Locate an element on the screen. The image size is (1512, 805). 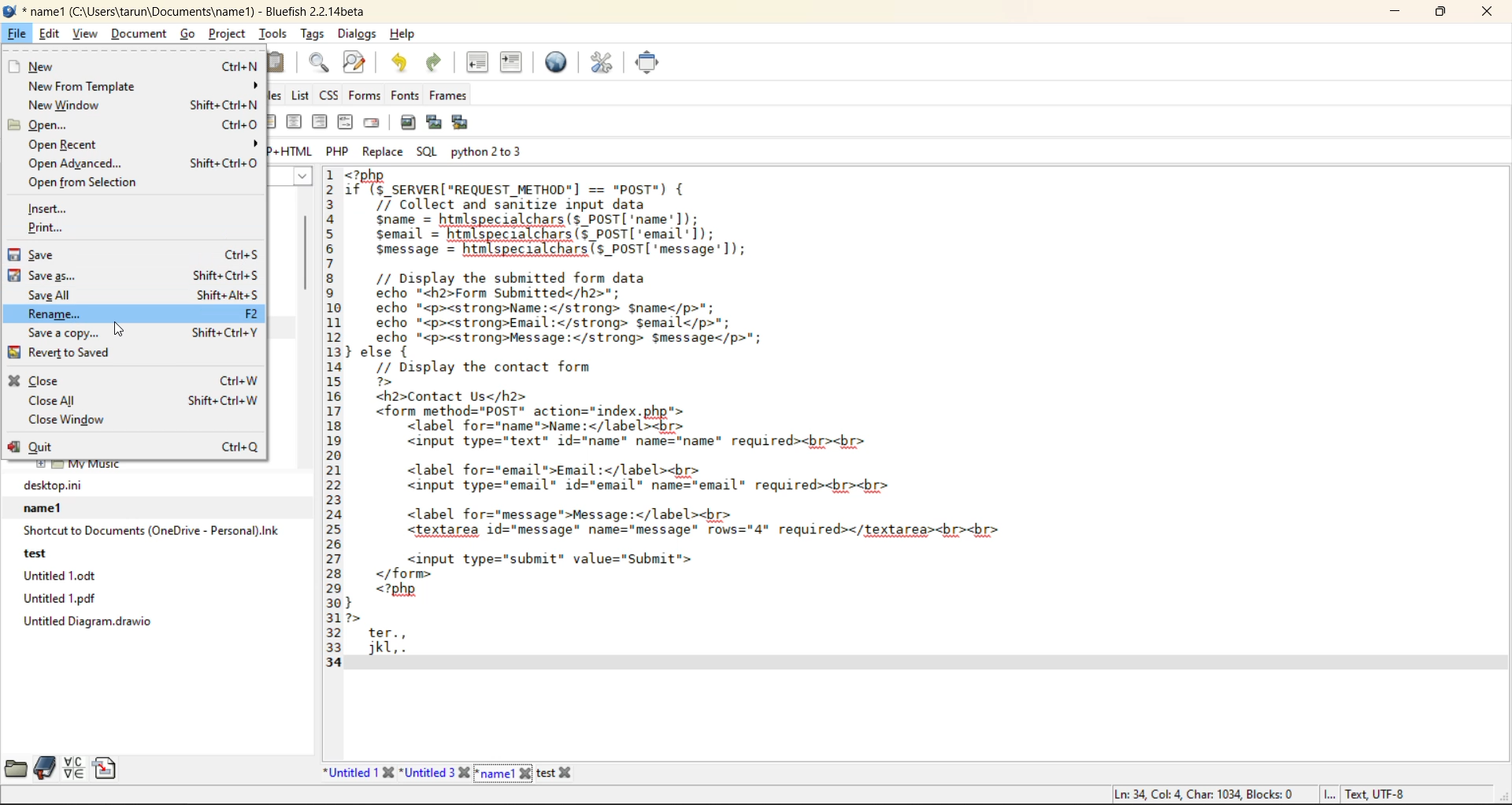
revert to saved is located at coordinates (70, 354).